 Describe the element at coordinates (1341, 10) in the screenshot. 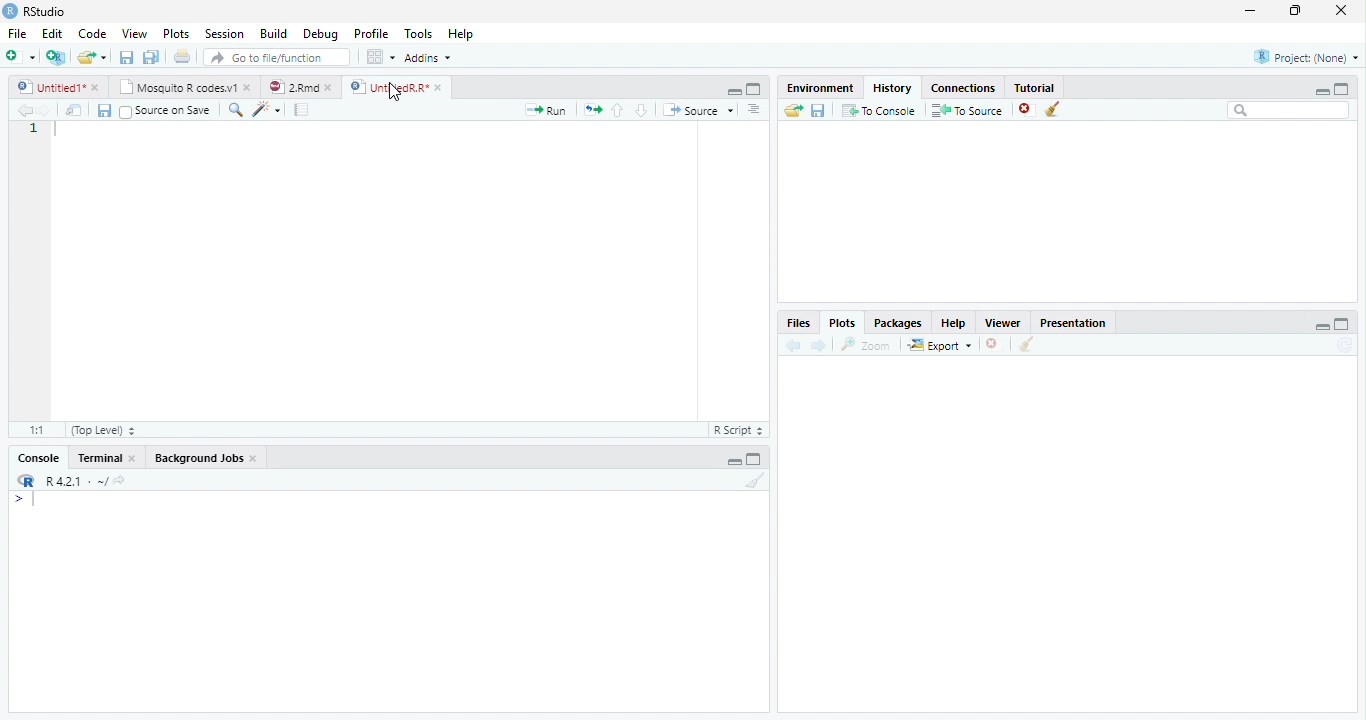

I see `close` at that location.